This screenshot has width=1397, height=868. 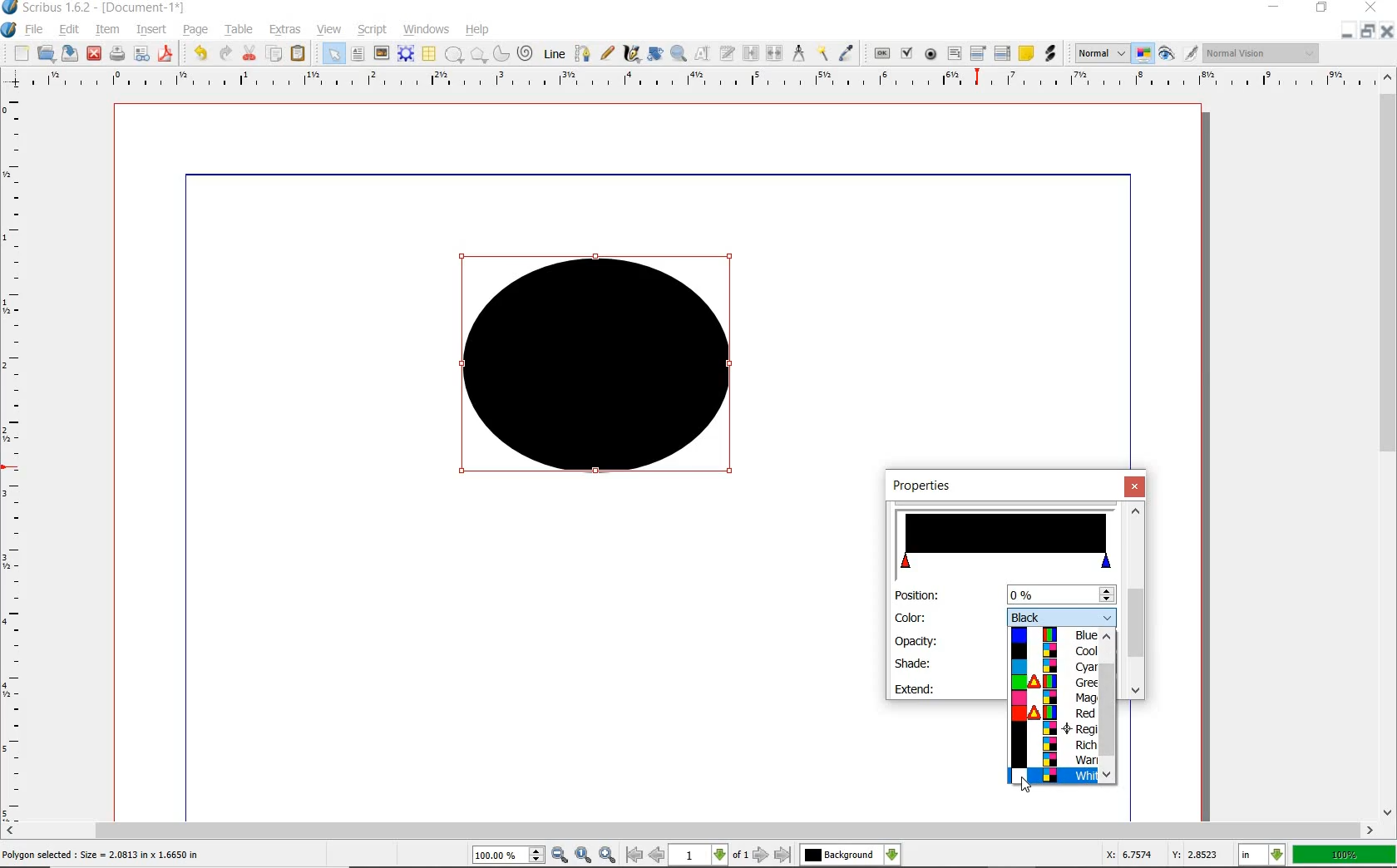 What do you see at coordinates (1108, 777) in the screenshot?
I see `scroll down` at bounding box center [1108, 777].